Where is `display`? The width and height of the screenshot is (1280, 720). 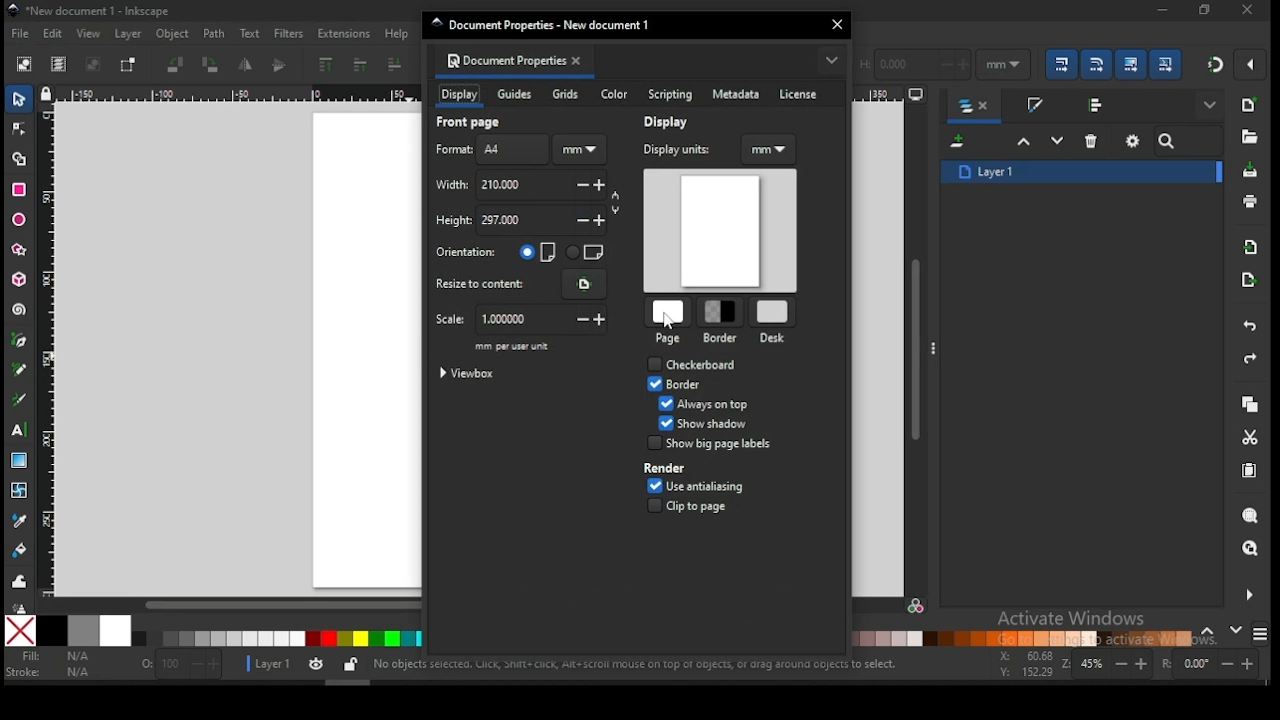
display is located at coordinates (669, 122).